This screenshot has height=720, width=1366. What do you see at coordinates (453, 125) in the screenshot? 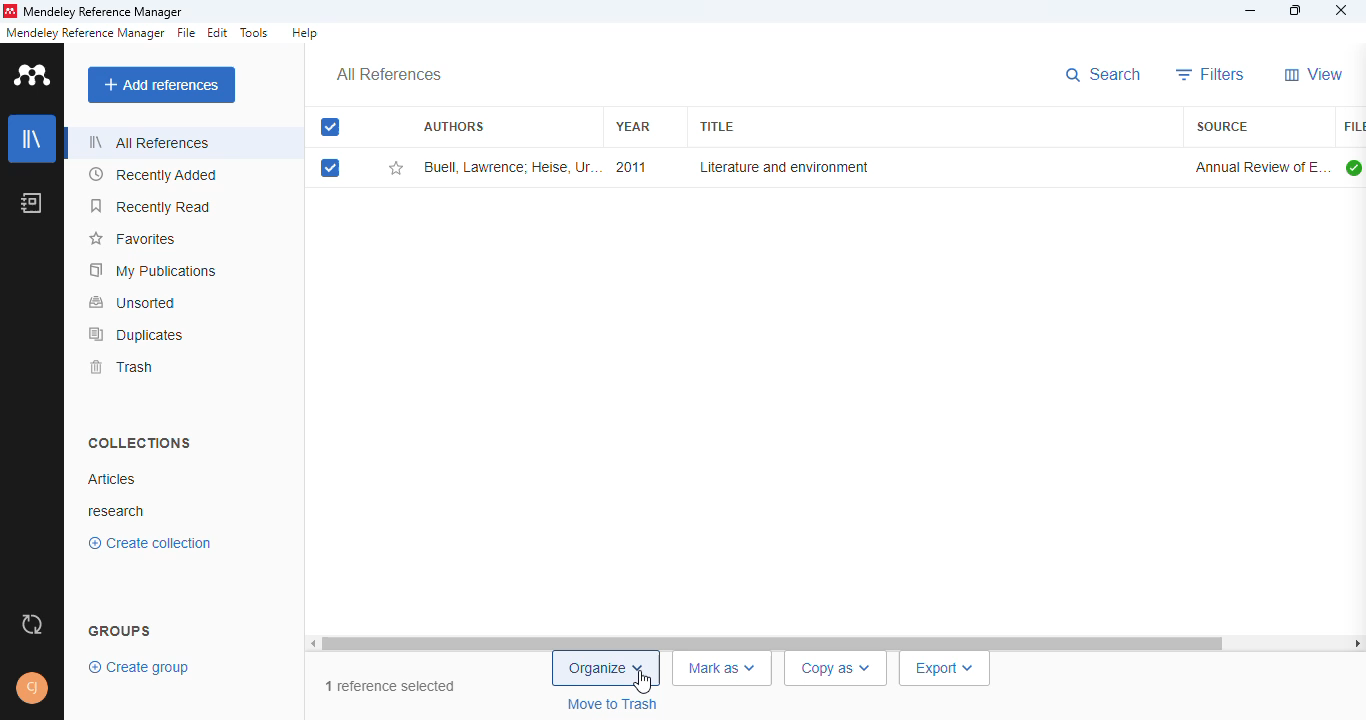
I see `authors` at bounding box center [453, 125].